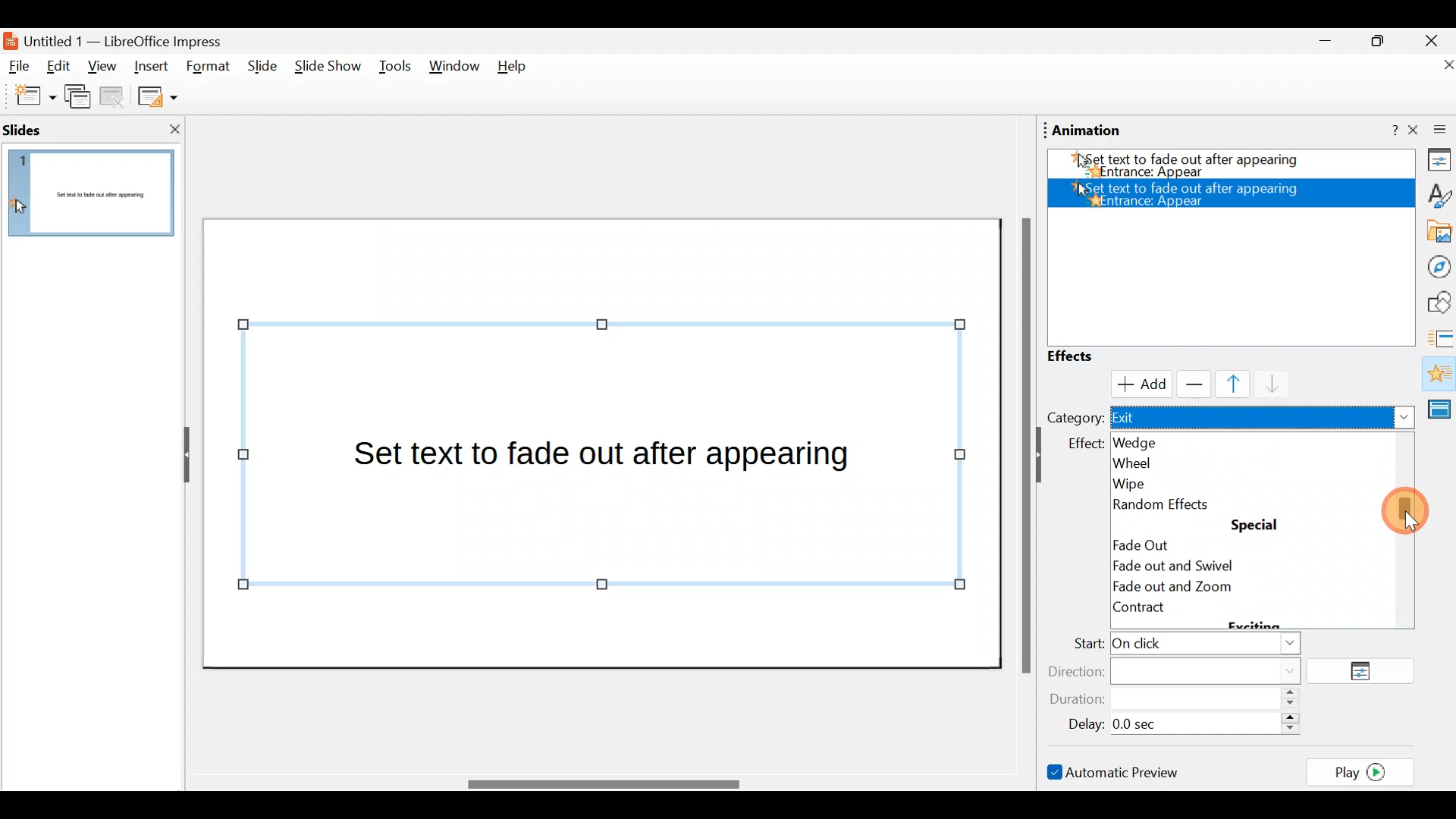 The image size is (1456, 819). I want to click on Cursor, so click(1137, 382).